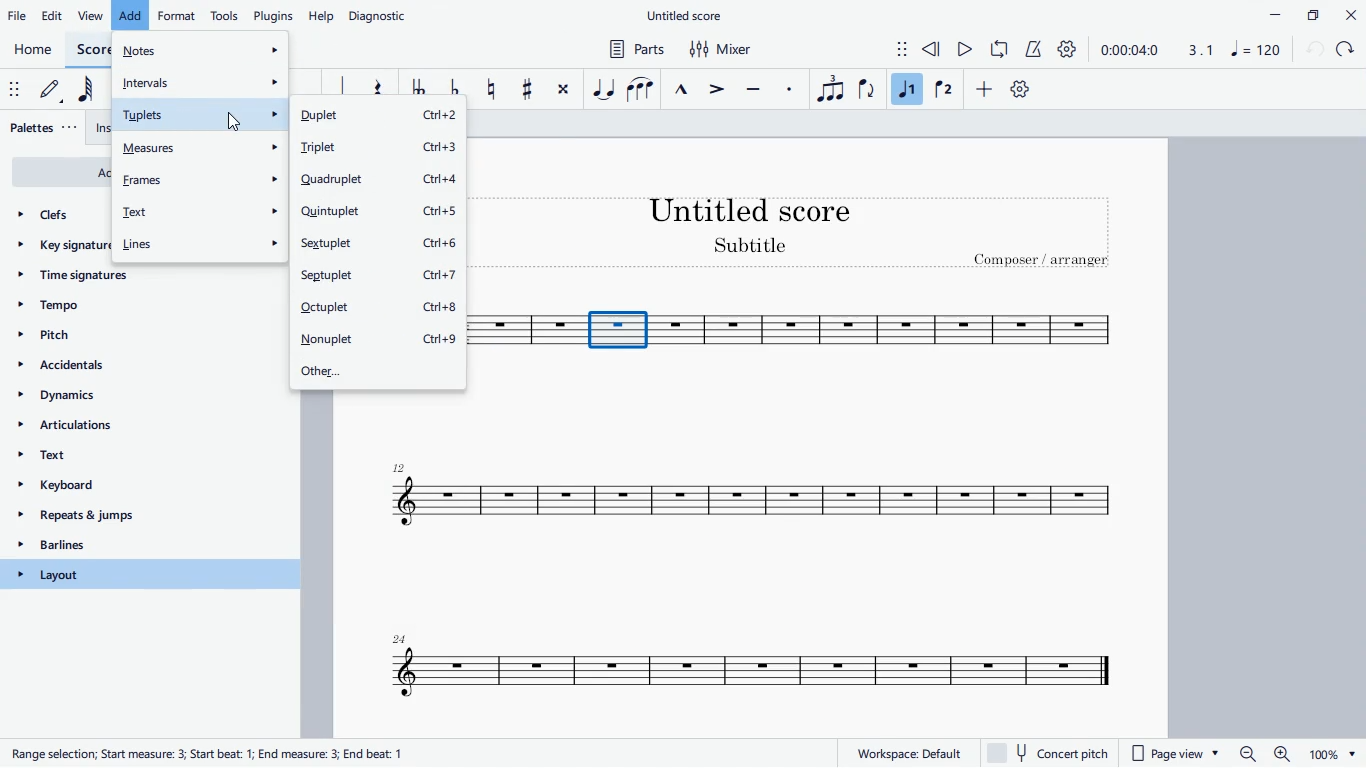 This screenshot has width=1366, height=768. Describe the element at coordinates (966, 51) in the screenshot. I see `play` at that location.